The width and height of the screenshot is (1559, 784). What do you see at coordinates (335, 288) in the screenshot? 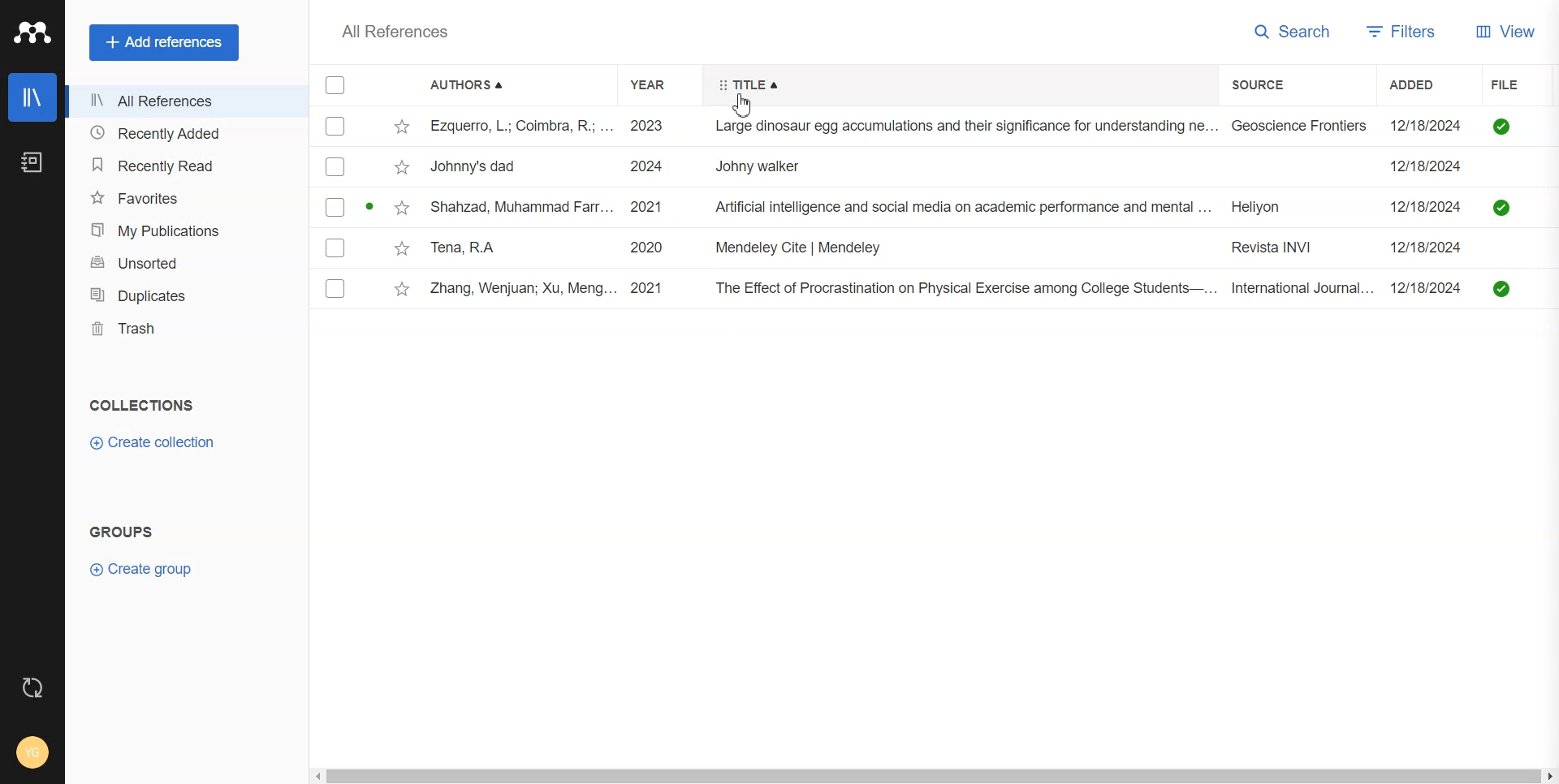
I see `select entry` at bounding box center [335, 288].